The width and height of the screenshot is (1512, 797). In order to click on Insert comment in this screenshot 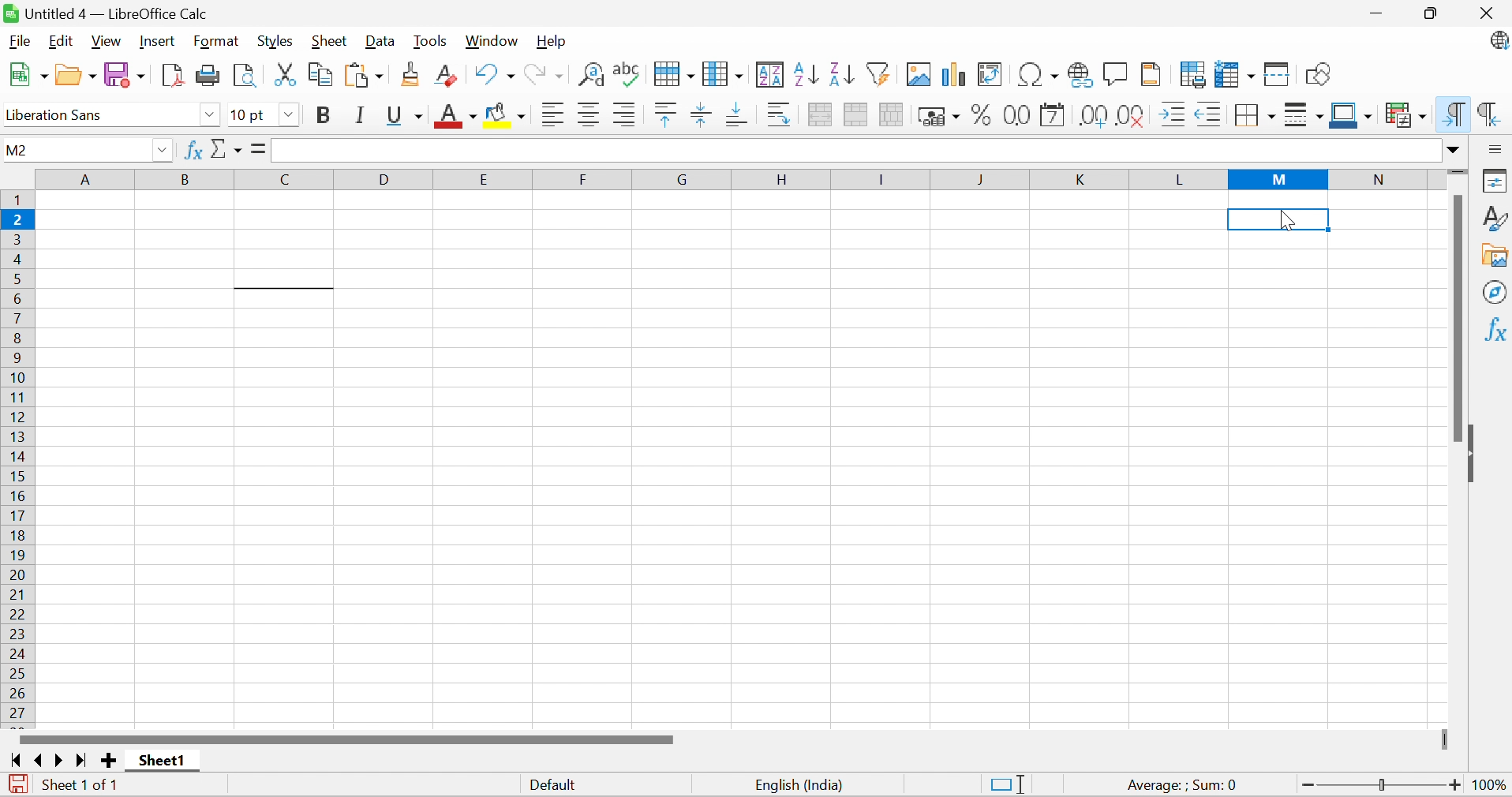, I will do `click(1116, 75)`.